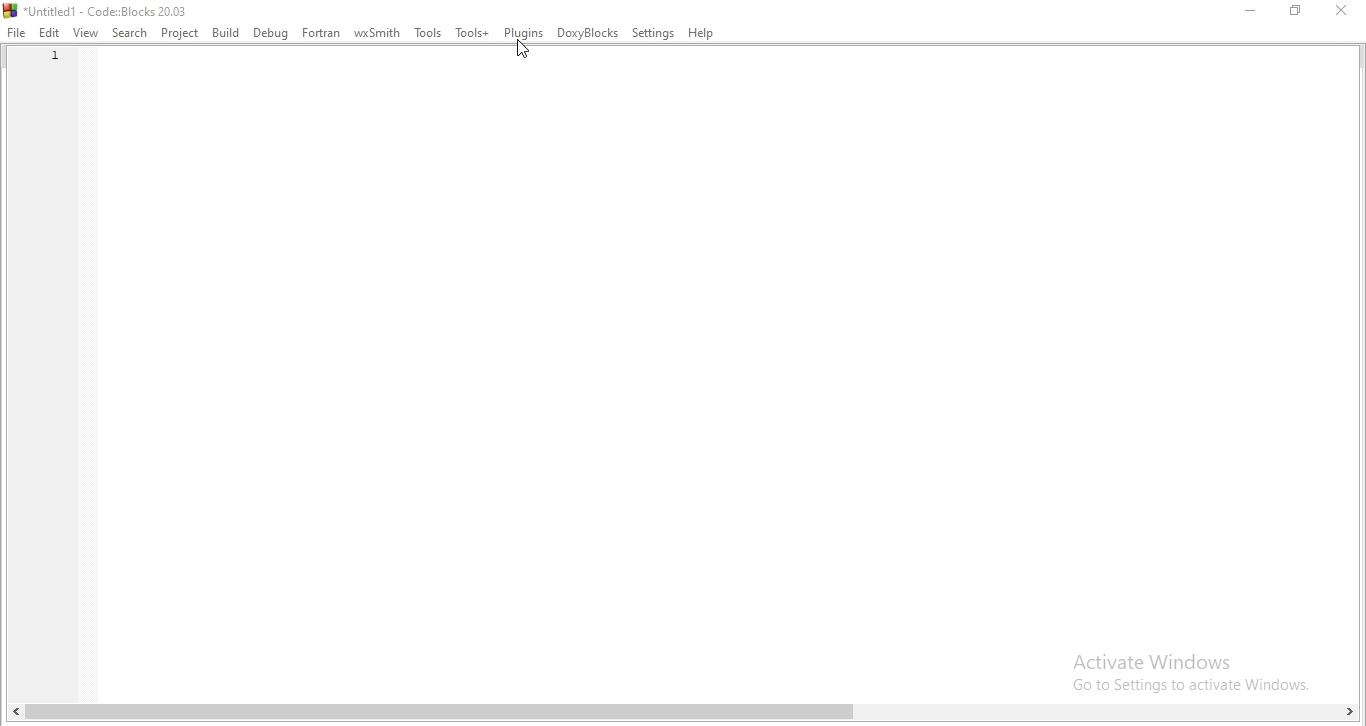 Image resolution: width=1366 pixels, height=726 pixels. Describe the element at coordinates (1346, 12) in the screenshot. I see `close` at that location.